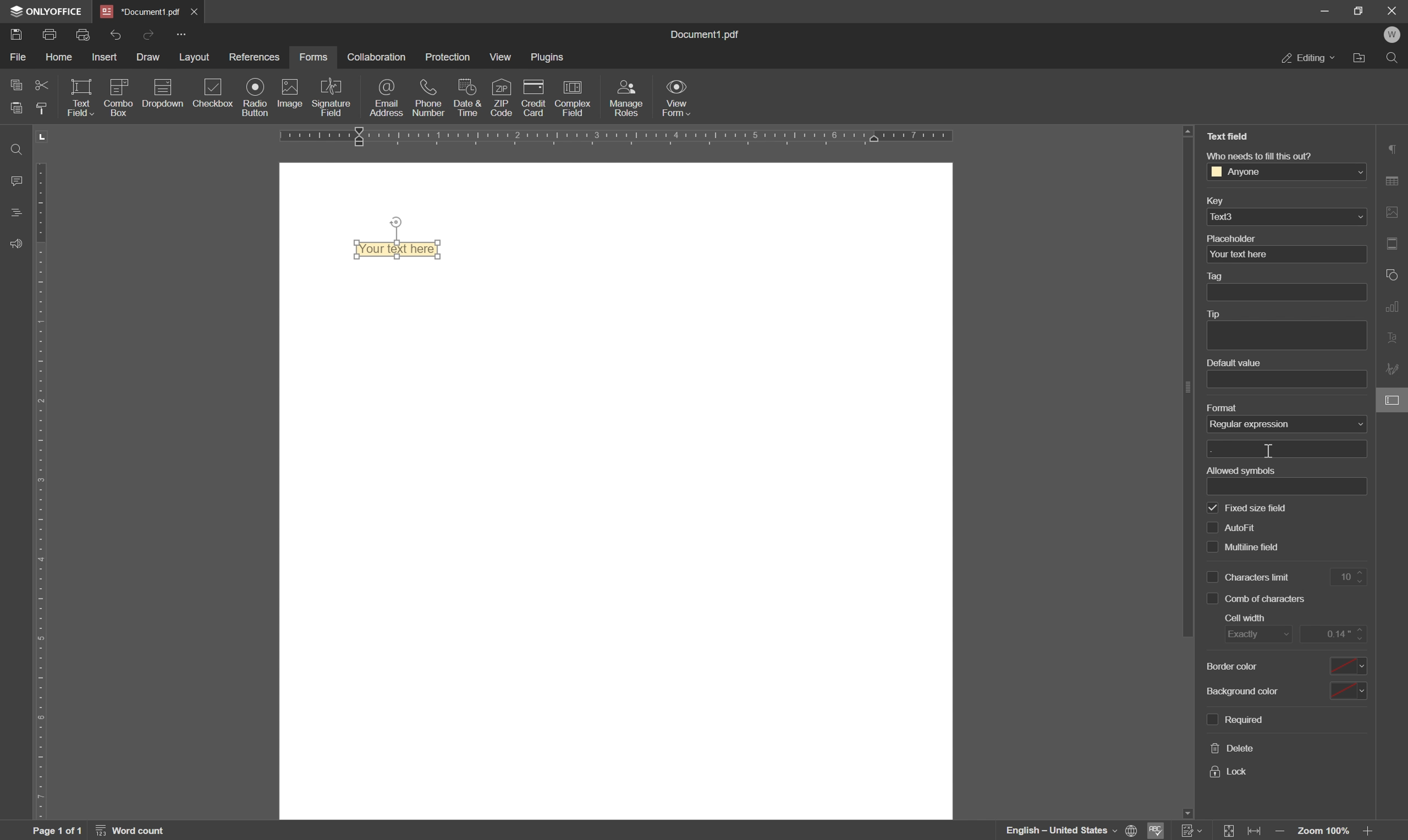  Describe the element at coordinates (255, 57) in the screenshot. I see `references` at that location.